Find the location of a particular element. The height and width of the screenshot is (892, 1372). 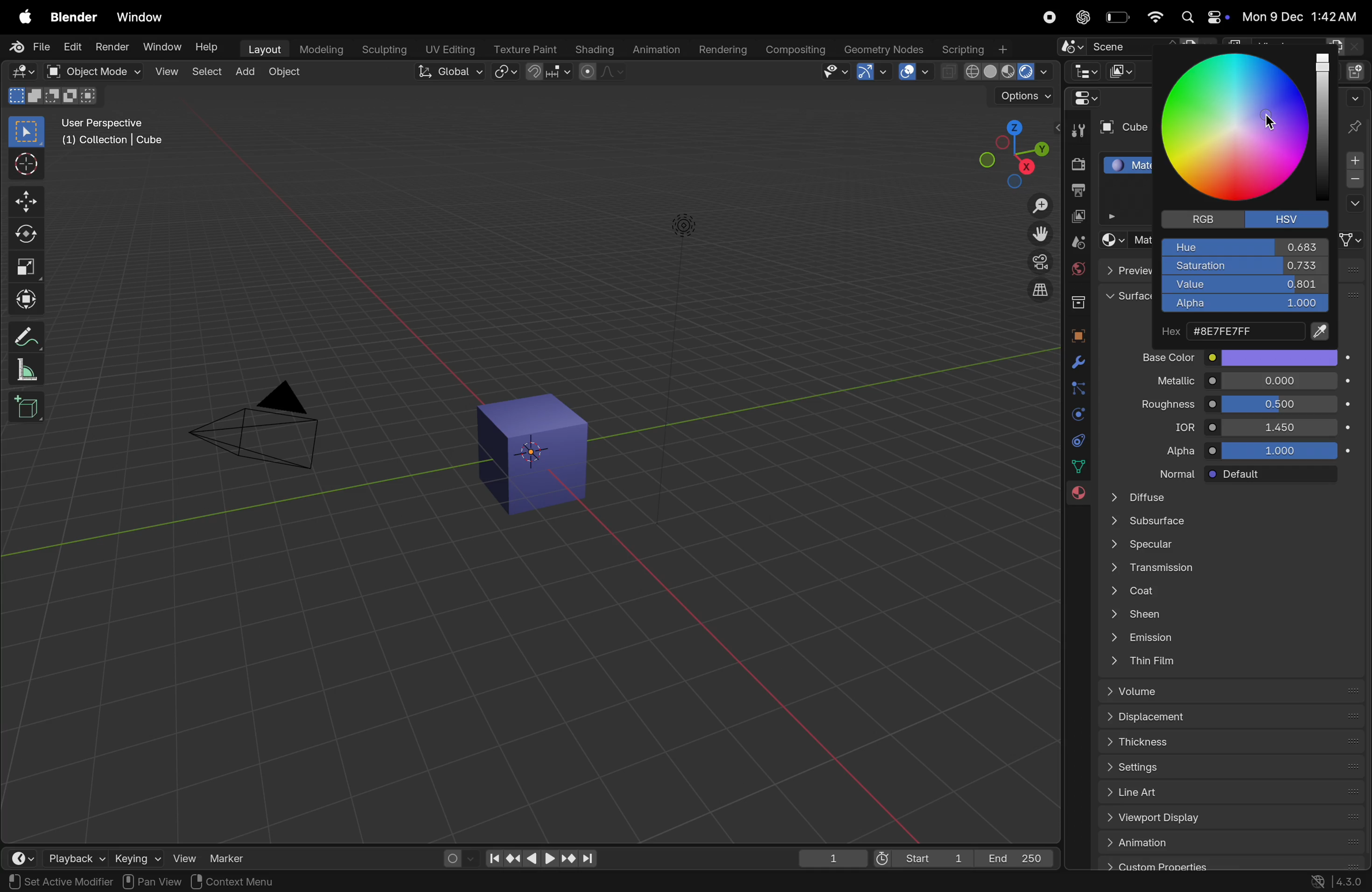

colection is located at coordinates (1076, 298).